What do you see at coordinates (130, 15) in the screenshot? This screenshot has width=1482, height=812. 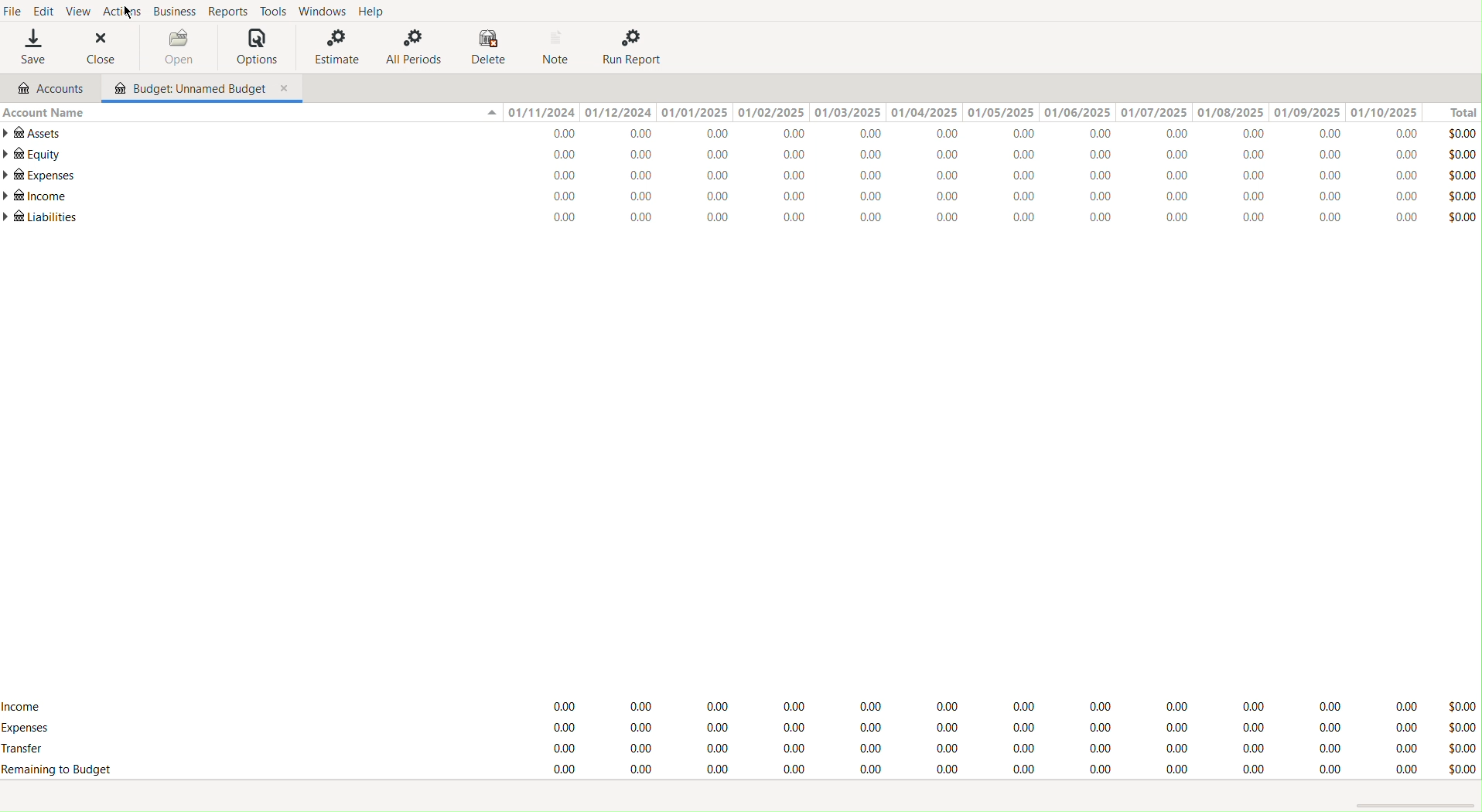 I see `cursor` at bounding box center [130, 15].